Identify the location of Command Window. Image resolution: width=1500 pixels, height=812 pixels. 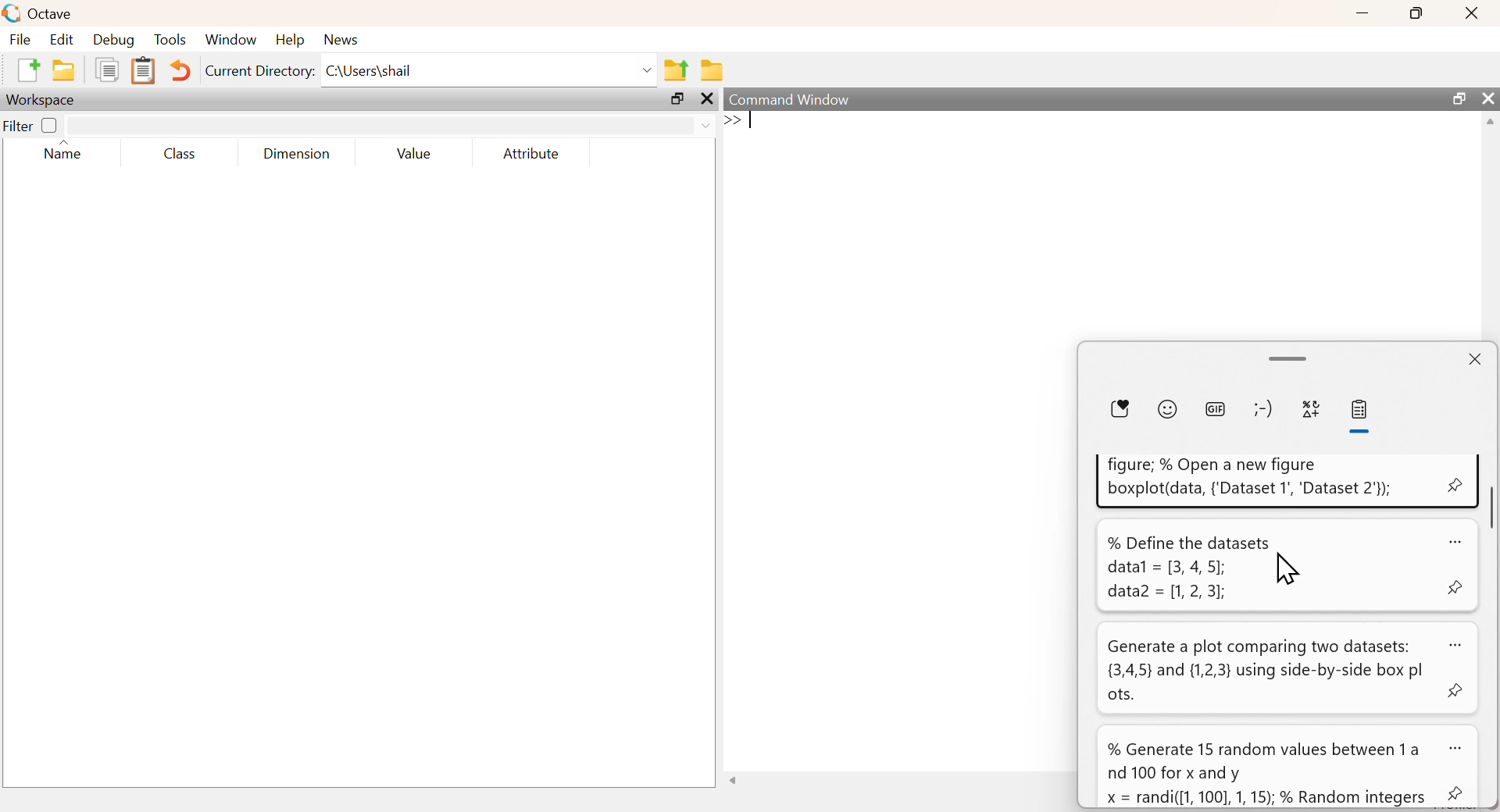
(794, 100).